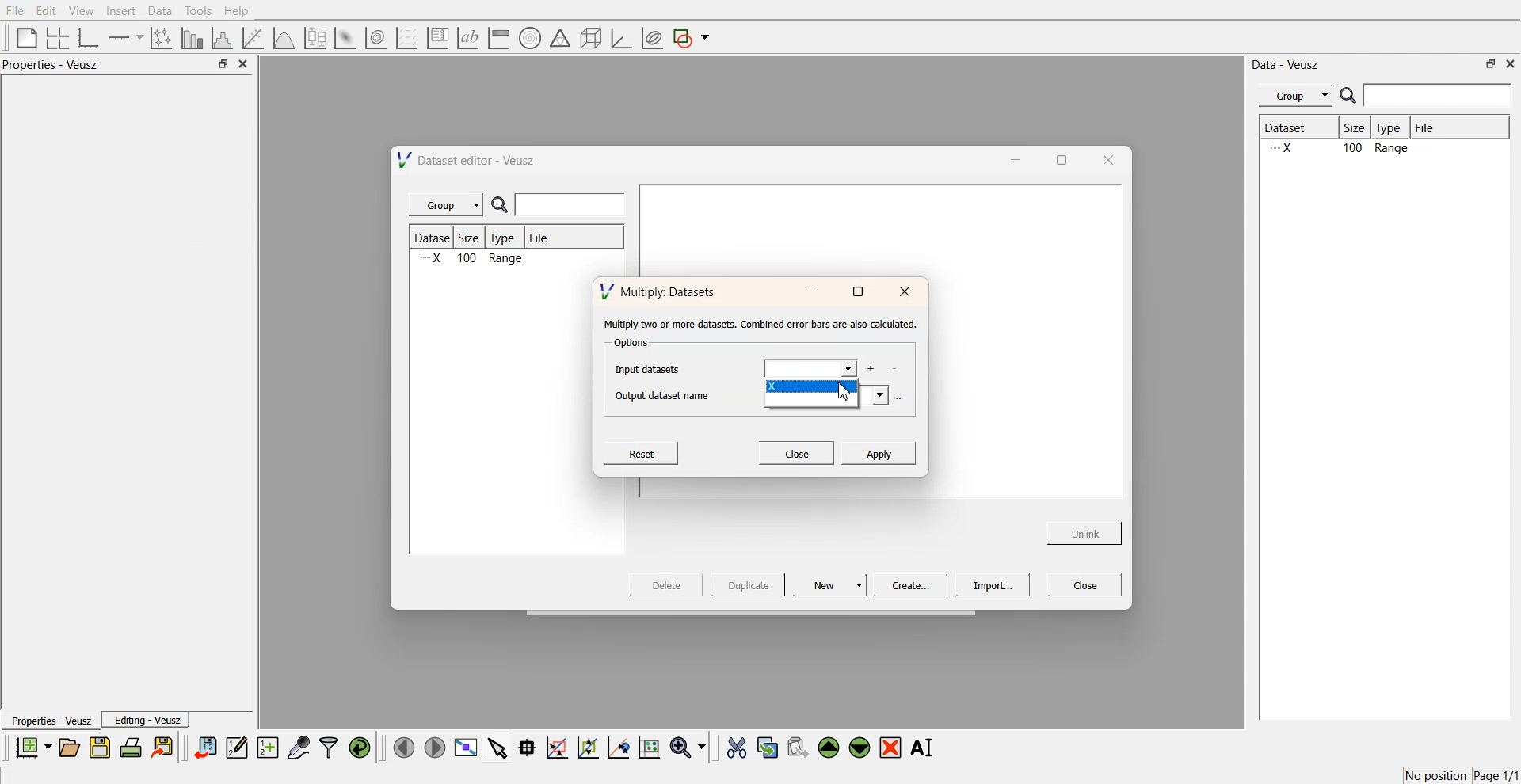 This screenshot has height=784, width=1521. I want to click on close, so click(244, 64).